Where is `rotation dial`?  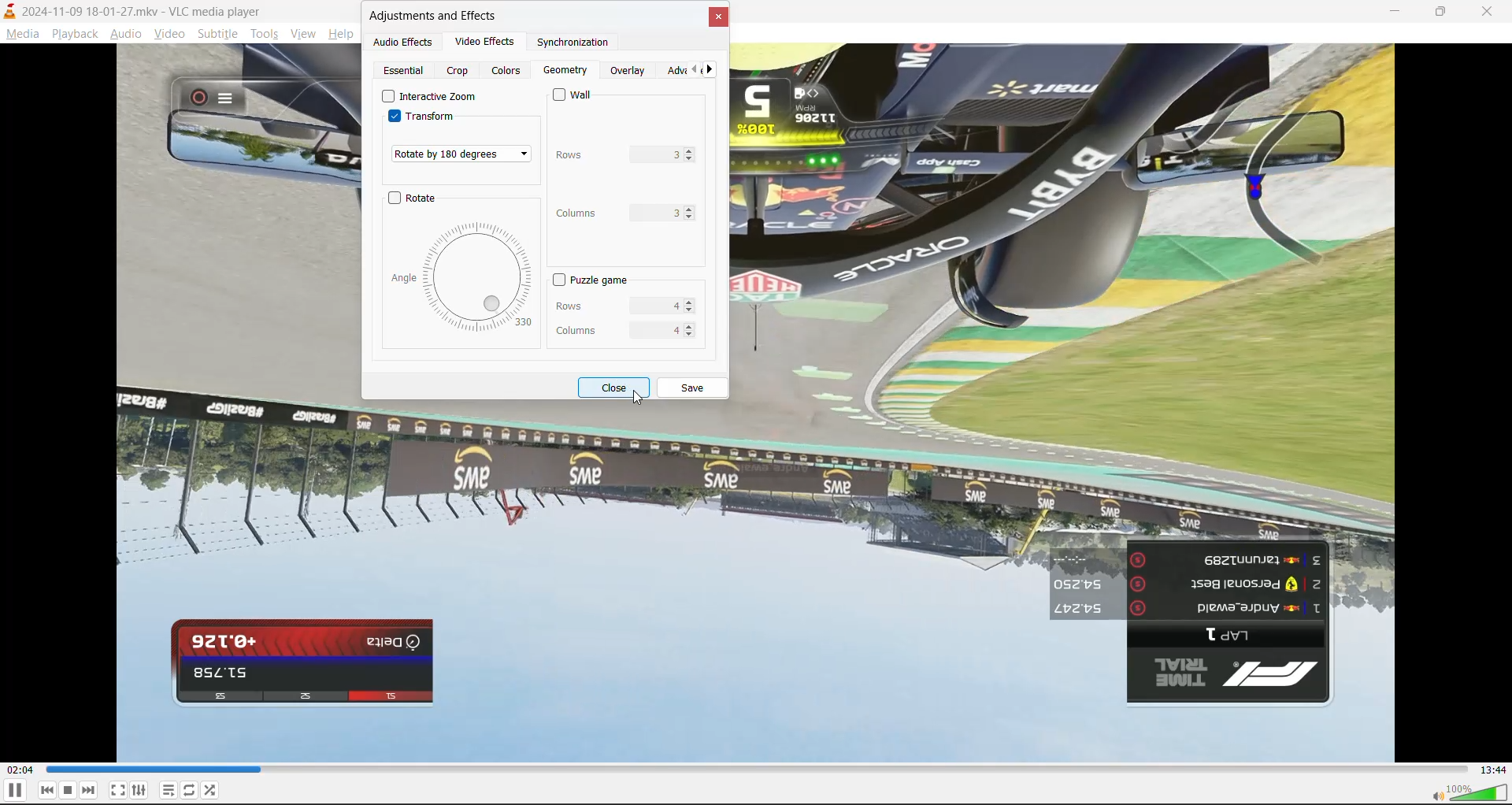 rotation dial is located at coordinates (463, 276).